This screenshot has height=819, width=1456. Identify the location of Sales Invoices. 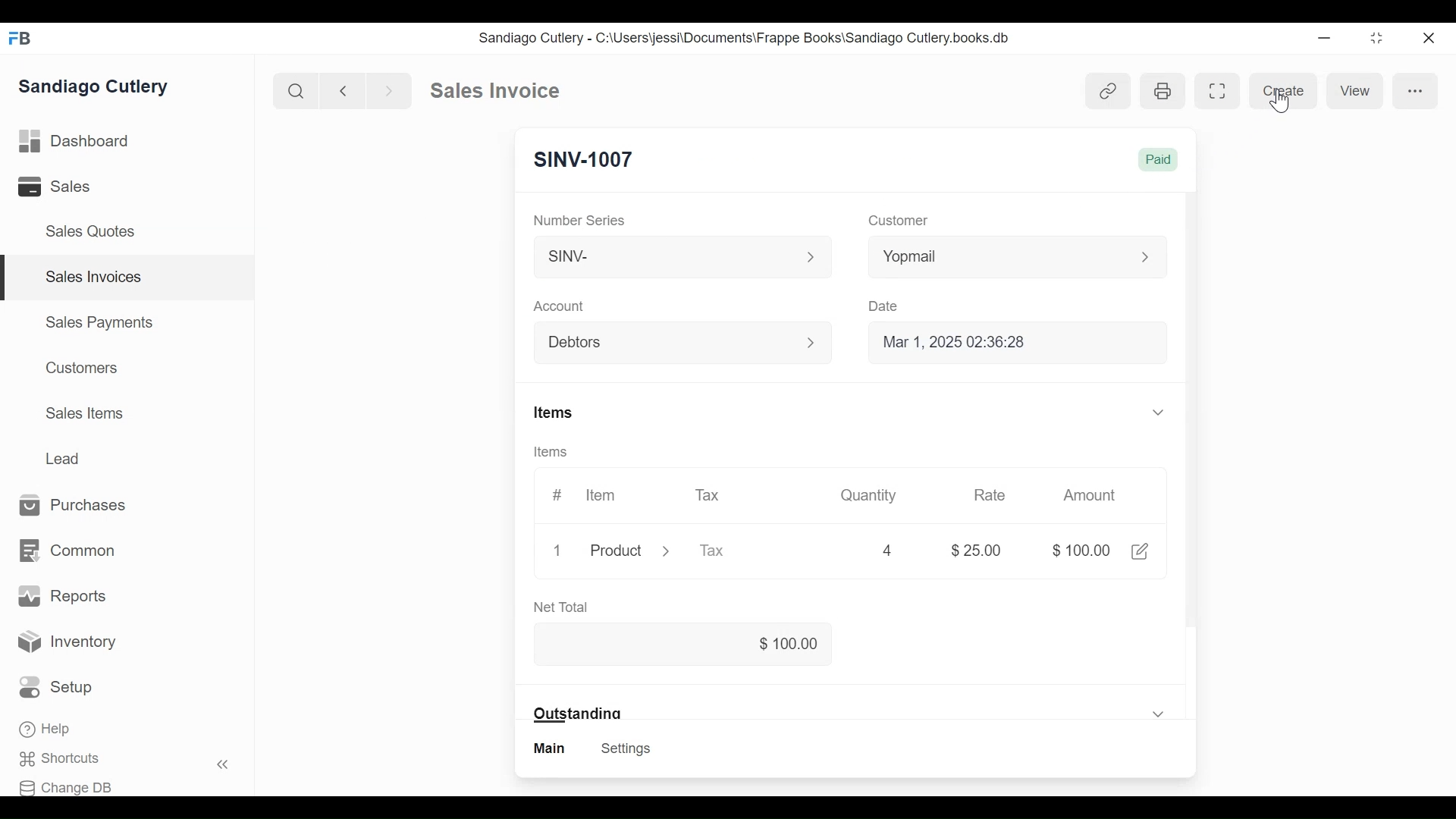
(95, 277).